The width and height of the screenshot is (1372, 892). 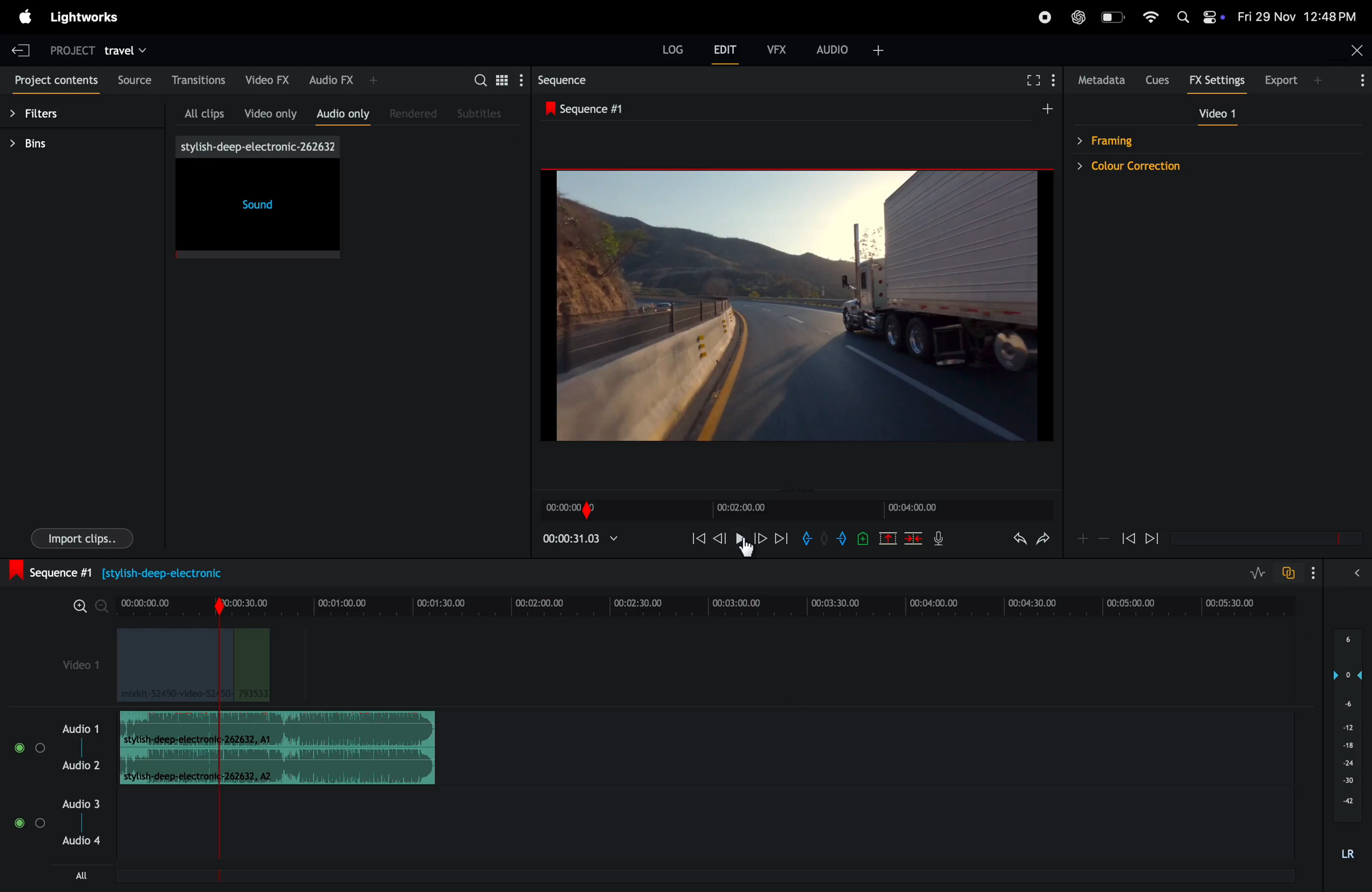 What do you see at coordinates (279, 768) in the screenshot?
I see `Audio Clip` at bounding box center [279, 768].